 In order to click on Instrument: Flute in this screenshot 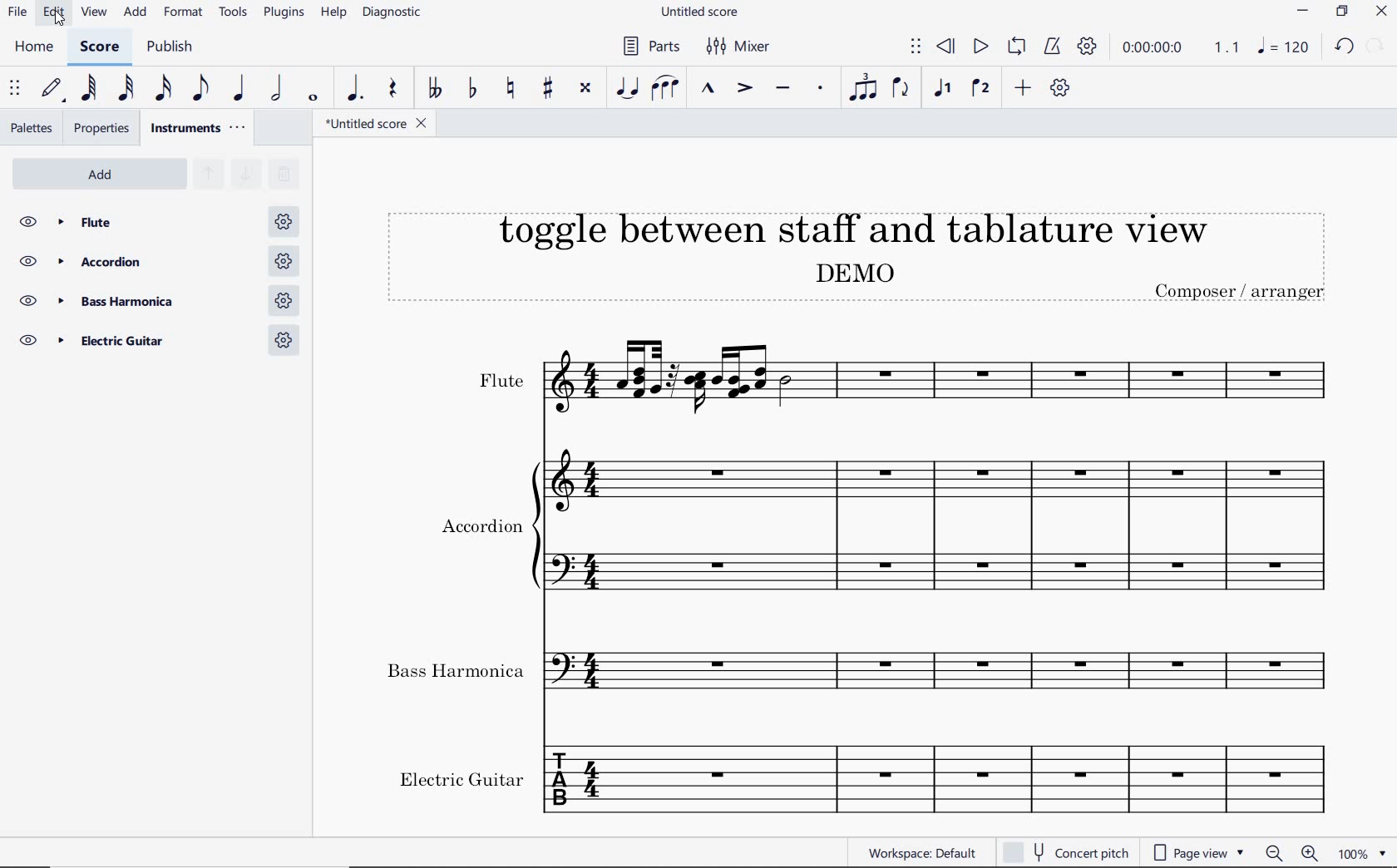, I will do `click(869, 377)`.